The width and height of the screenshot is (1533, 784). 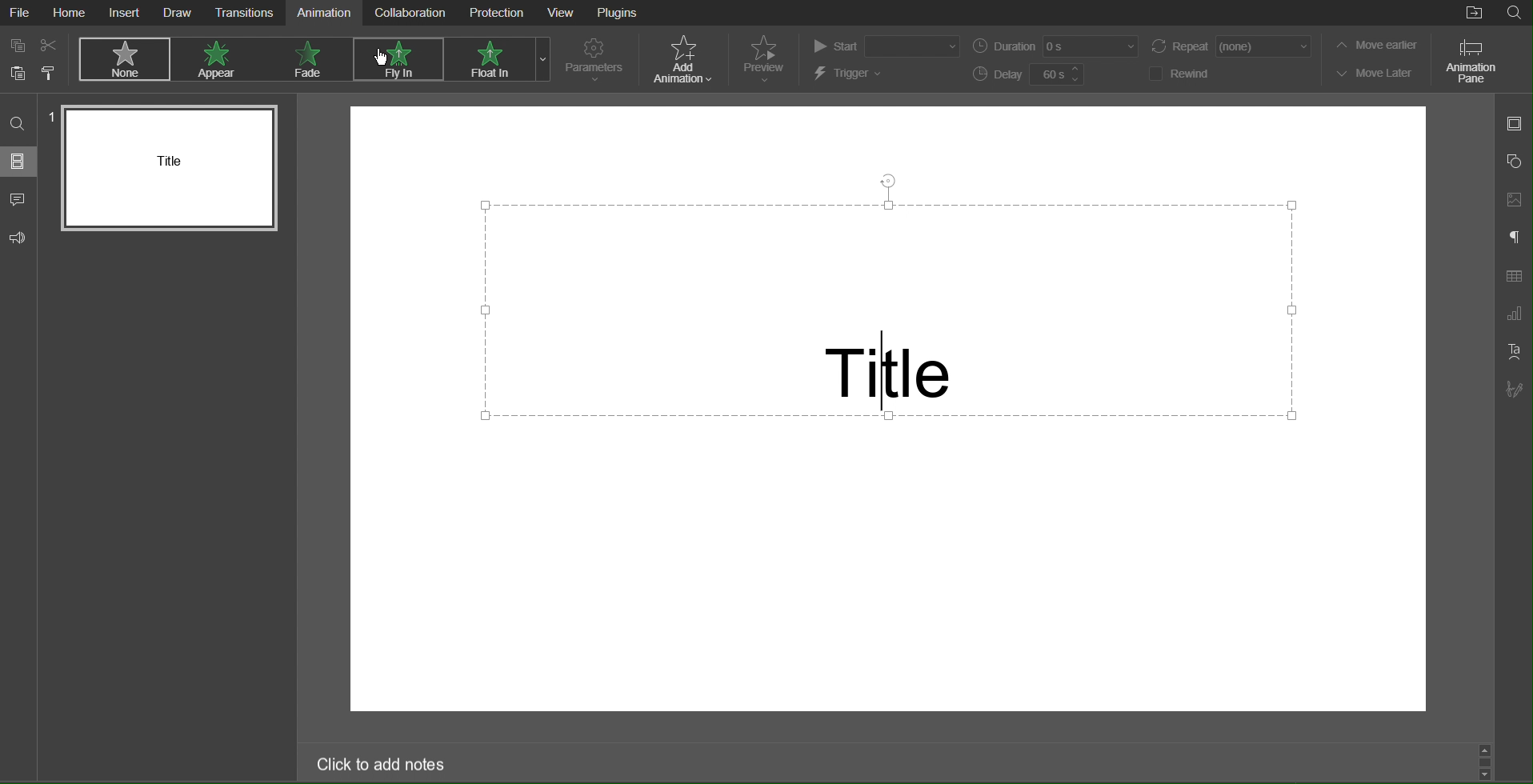 What do you see at coordinates (682, 59) in the screenshot?
I see `Add Animation` at bounding box center [682, 59].